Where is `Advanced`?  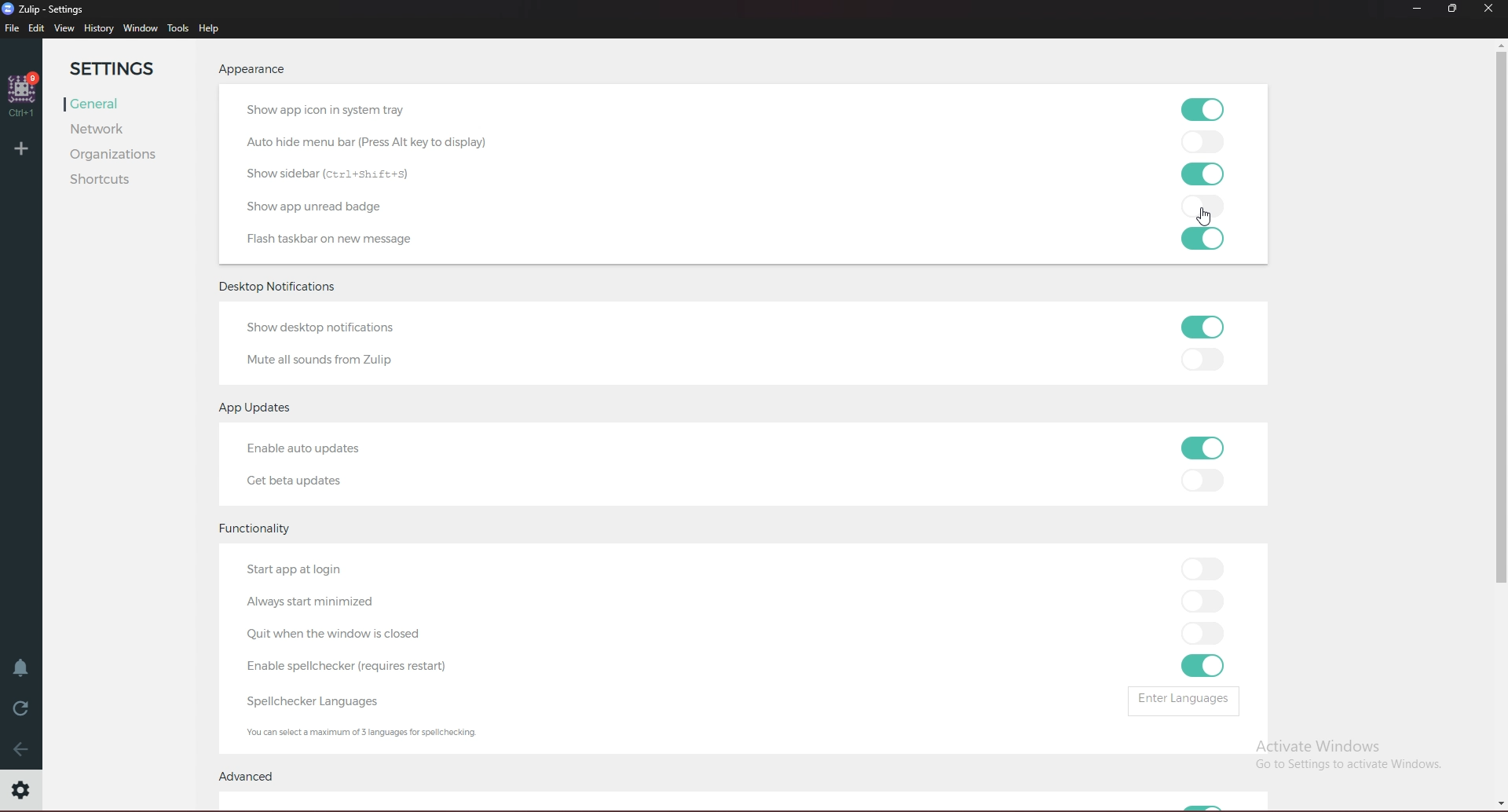 Advanced is located at coordinates (256, 776).